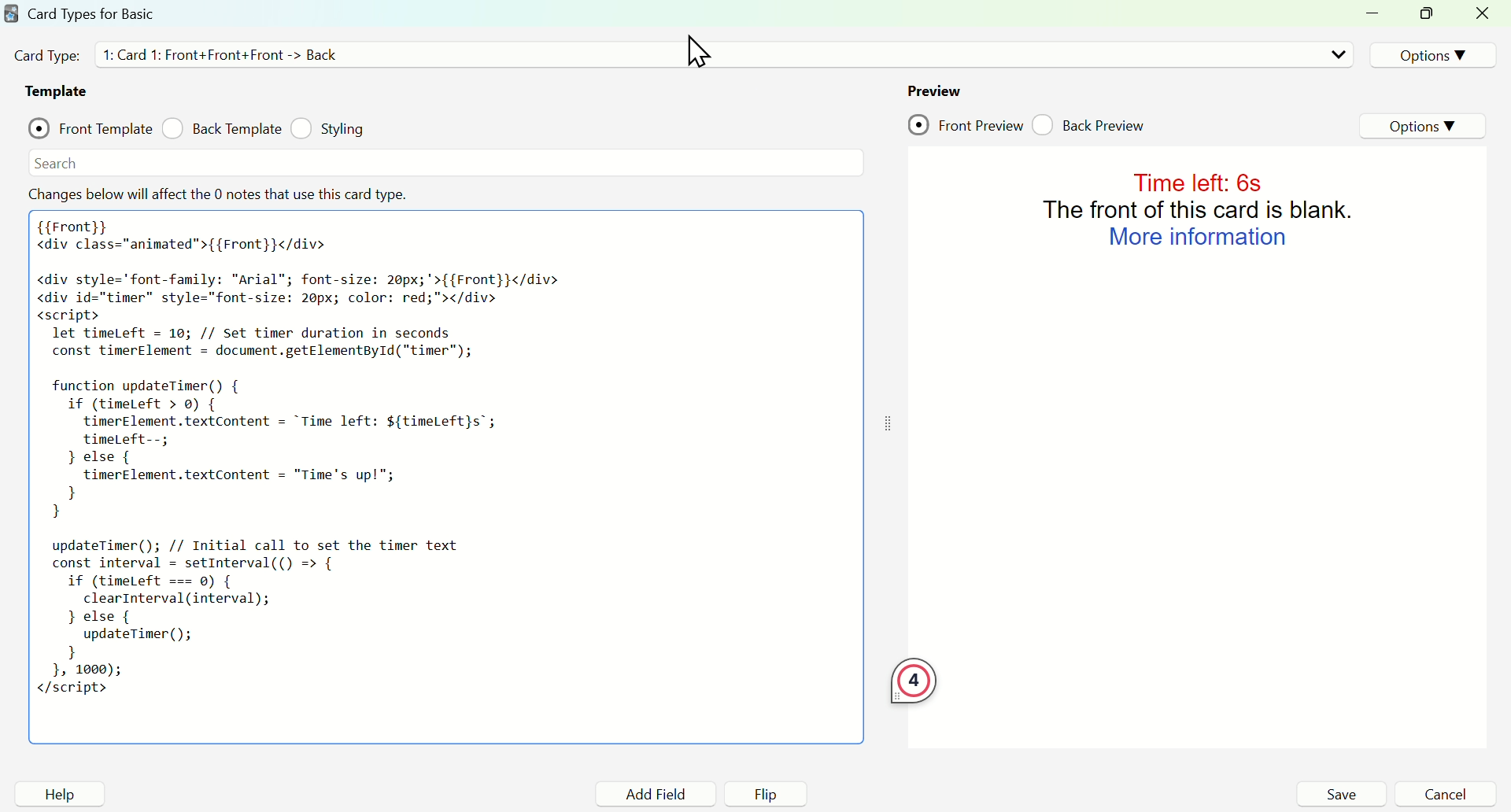  What do you see at coordinates (767, 795) in the screenshot?
I see `flip` at bounding box center [767, 795].